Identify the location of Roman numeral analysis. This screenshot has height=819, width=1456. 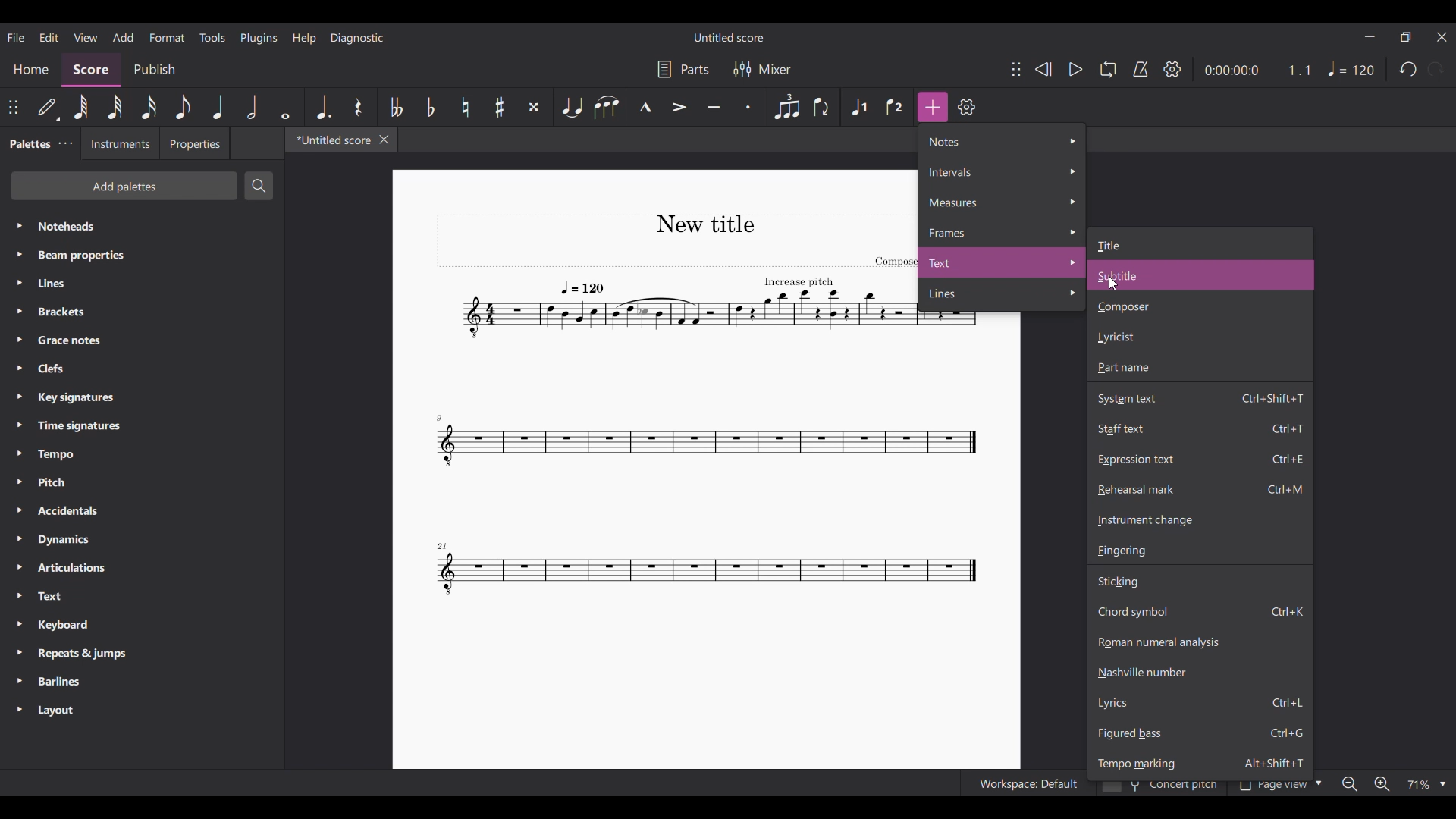
(1200, 642).